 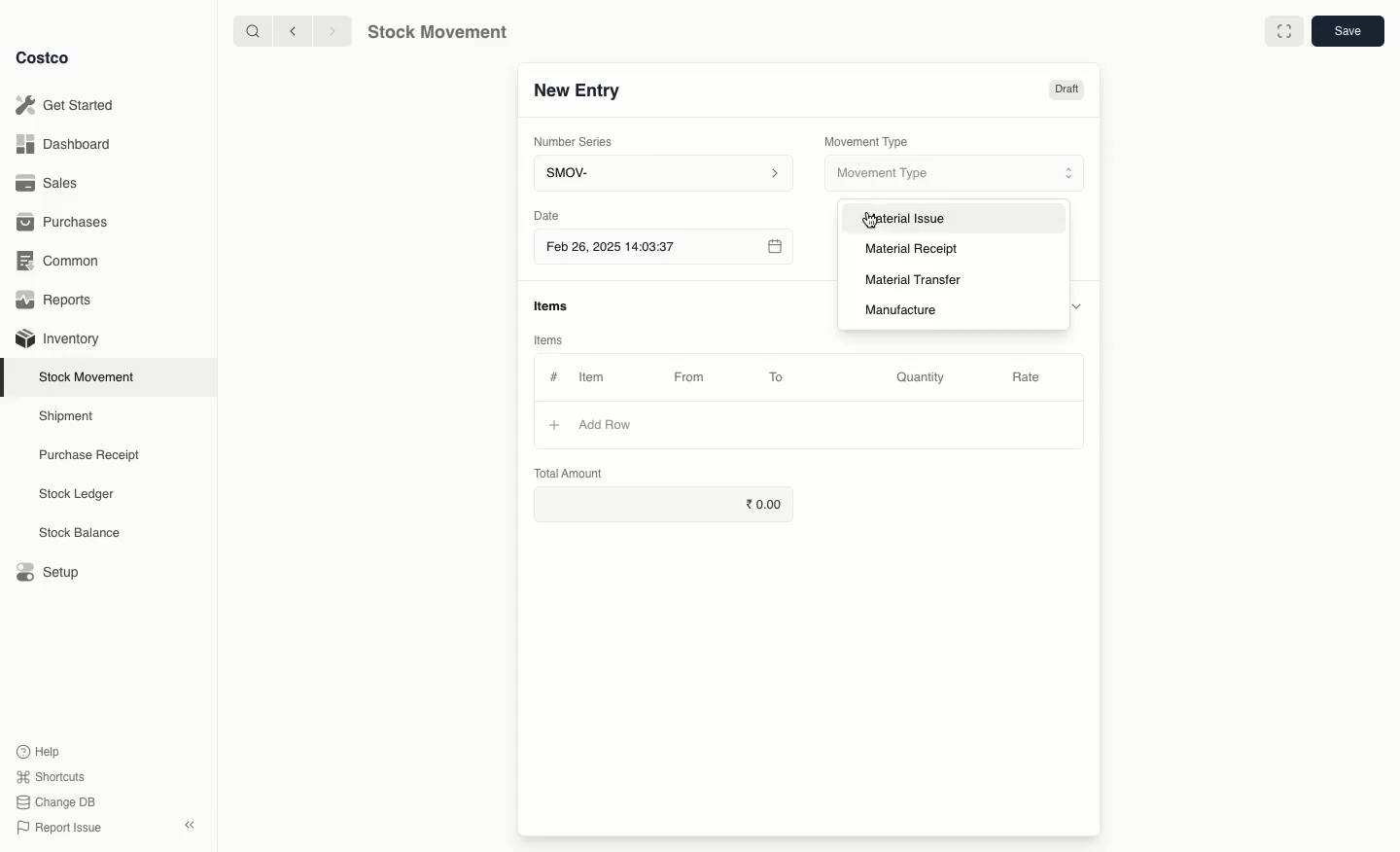 I want to click on Movement Type, so click(x=867, y=141).